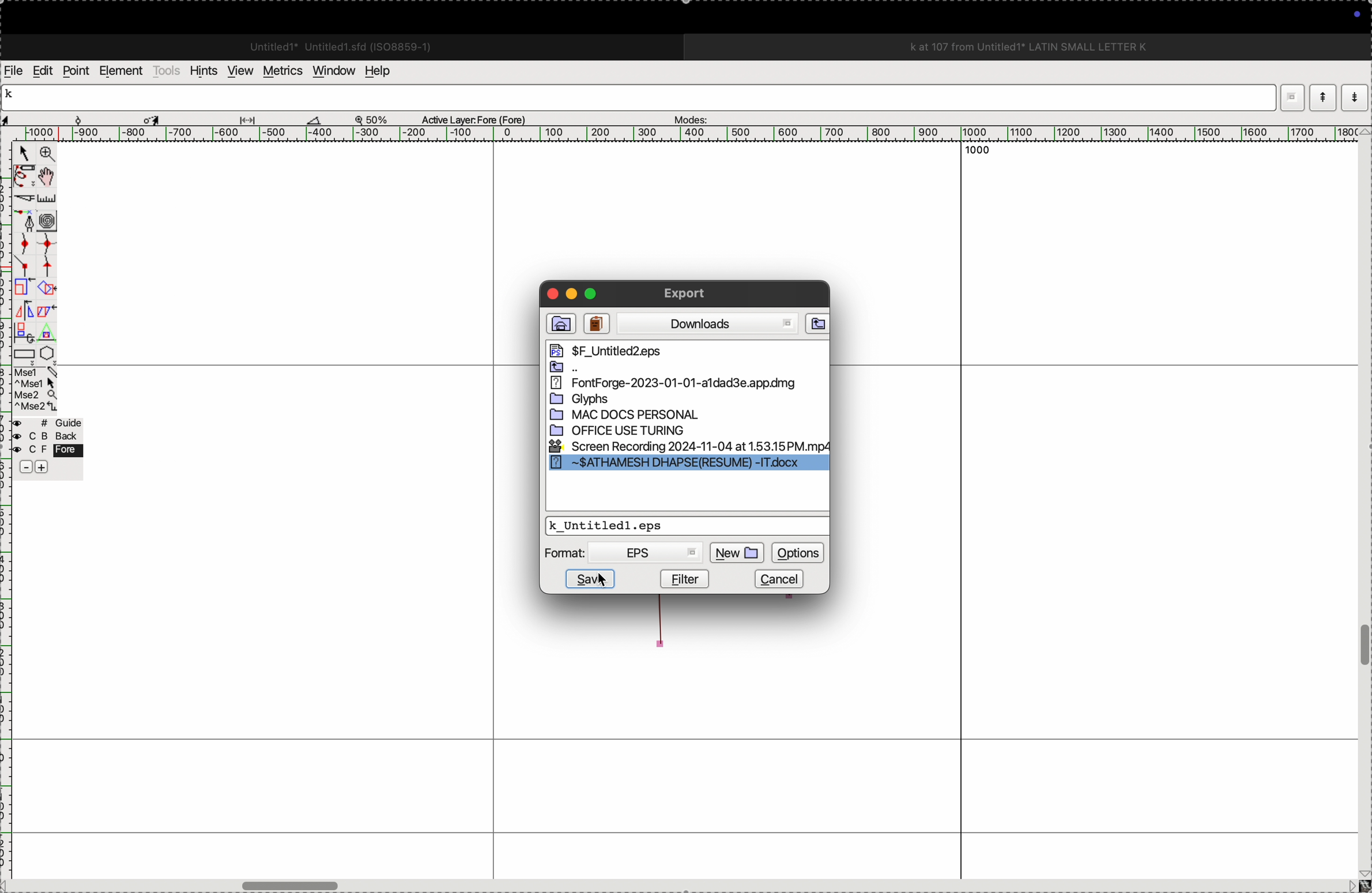 Image resolution: width=1372 pixels, height=893 pixels. What do you see at coordinates (201, 70) in the screenshot?
I see `hints` at bounding box center [201, 70].